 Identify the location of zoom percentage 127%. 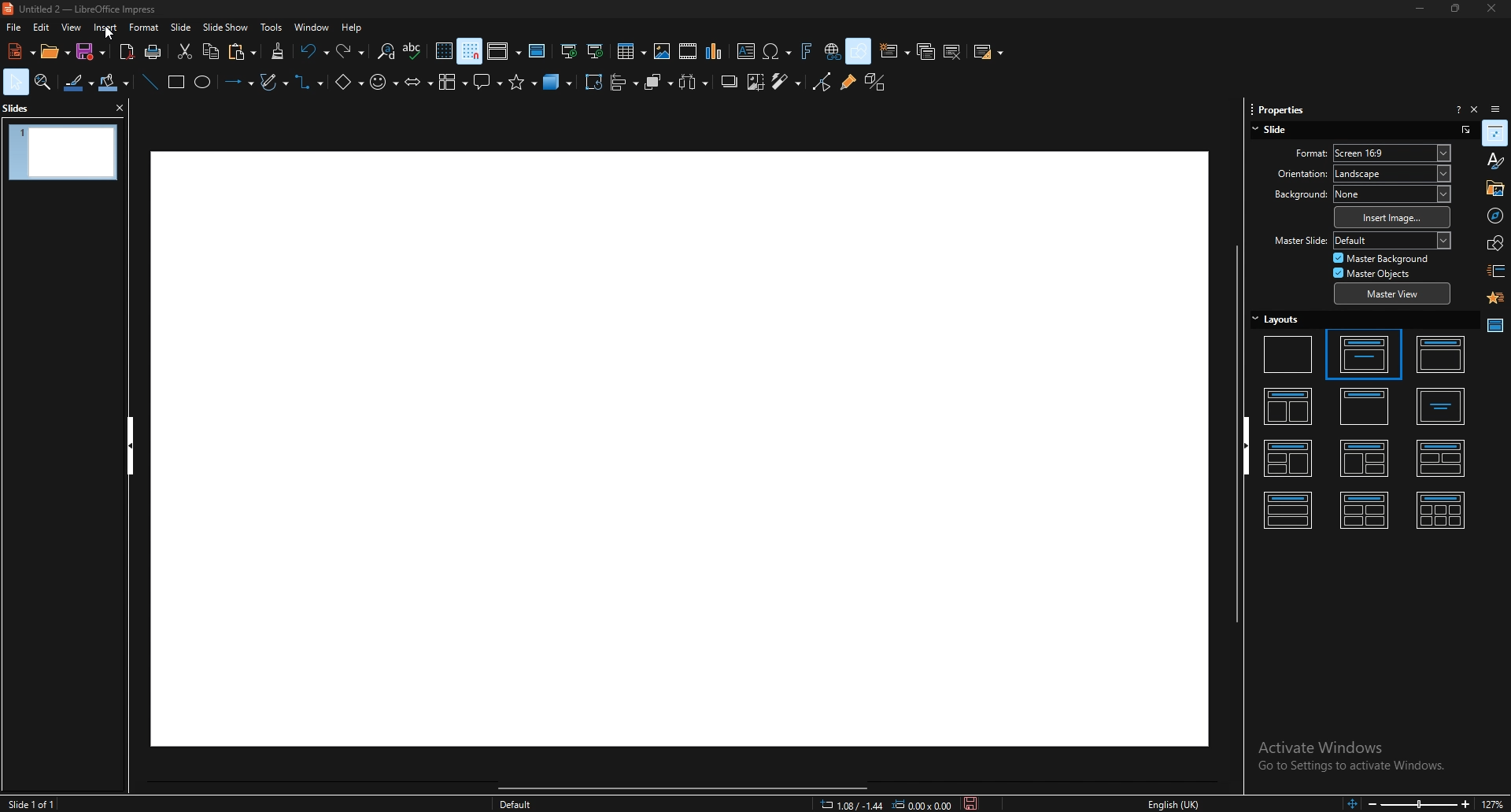
(1495, 803).